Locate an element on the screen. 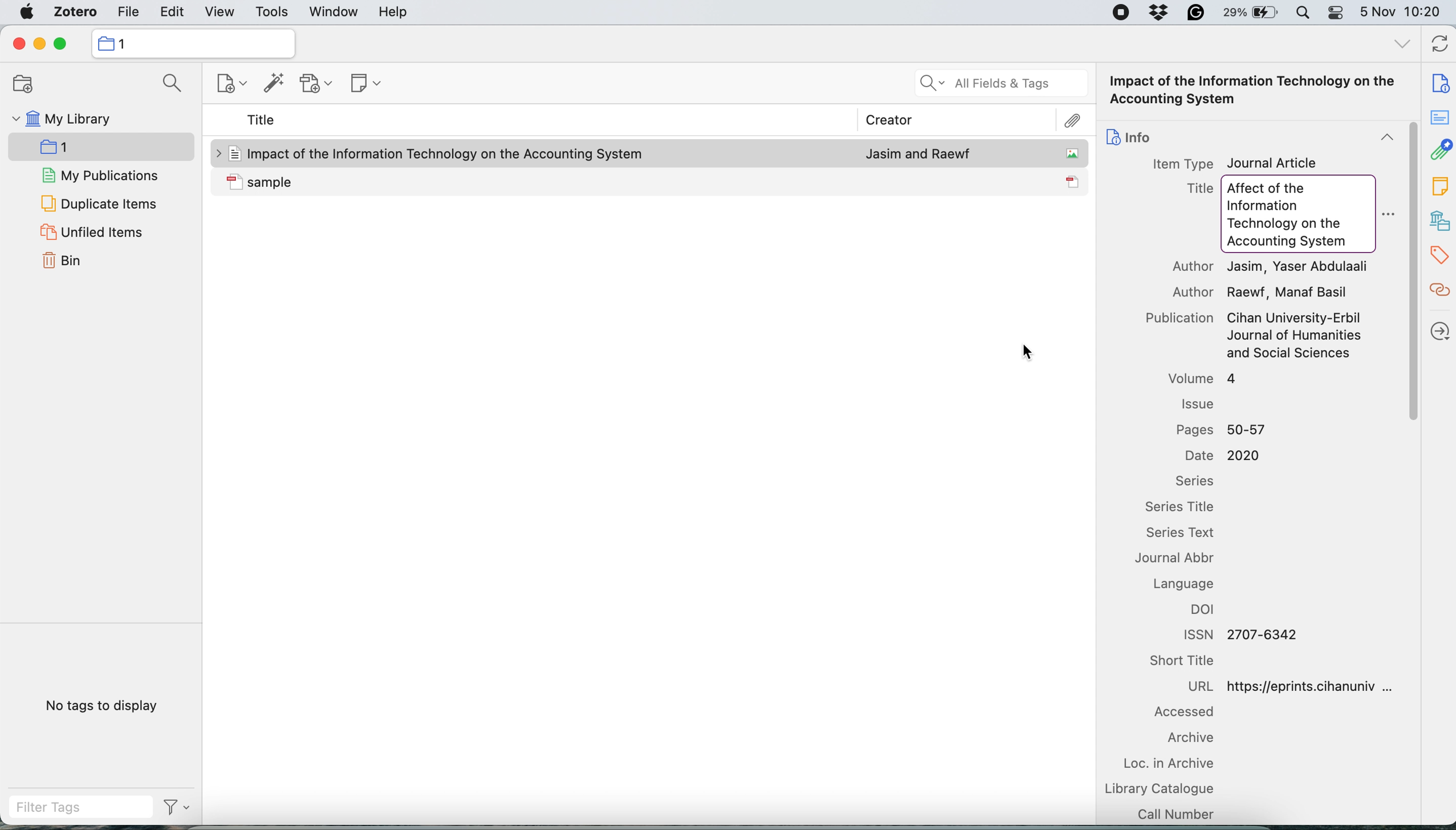 The height and width of the screenshot is (830, 1456). collection is located at coordinates (125, 44).